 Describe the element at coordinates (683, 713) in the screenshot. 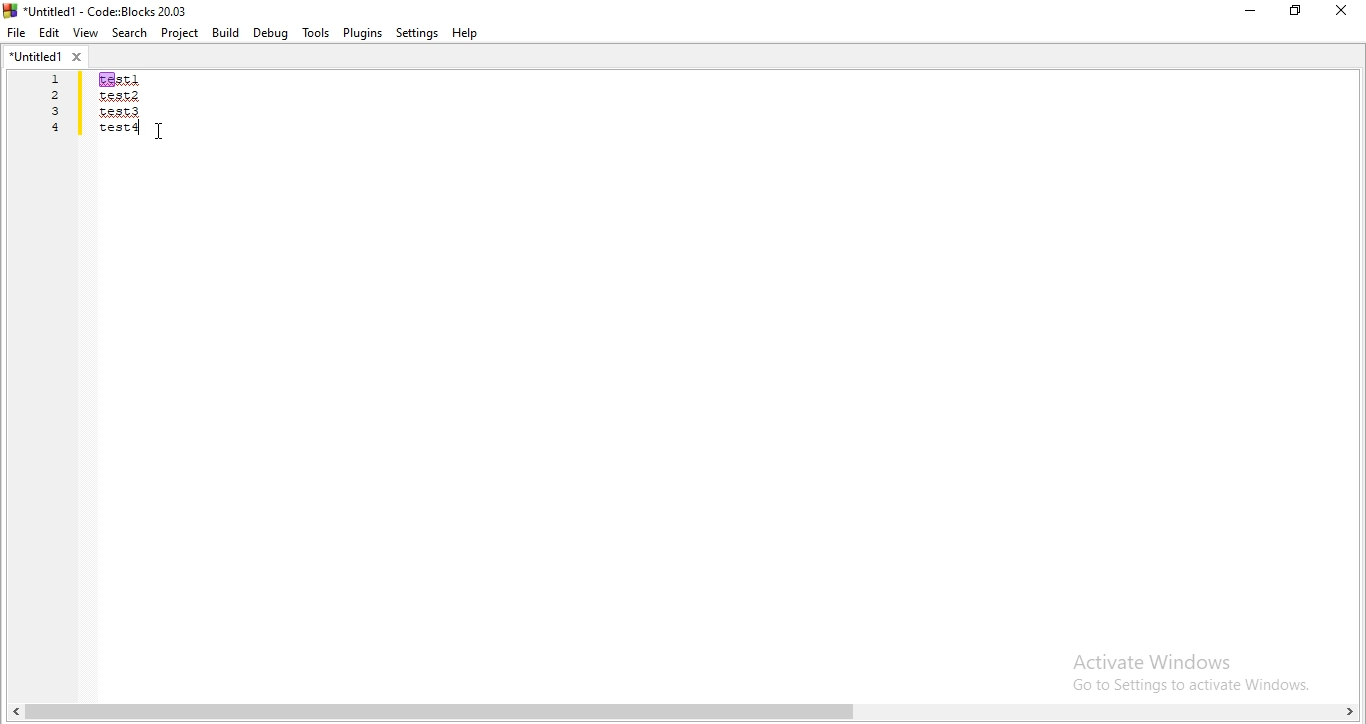

I see `scroll bar` at that location.